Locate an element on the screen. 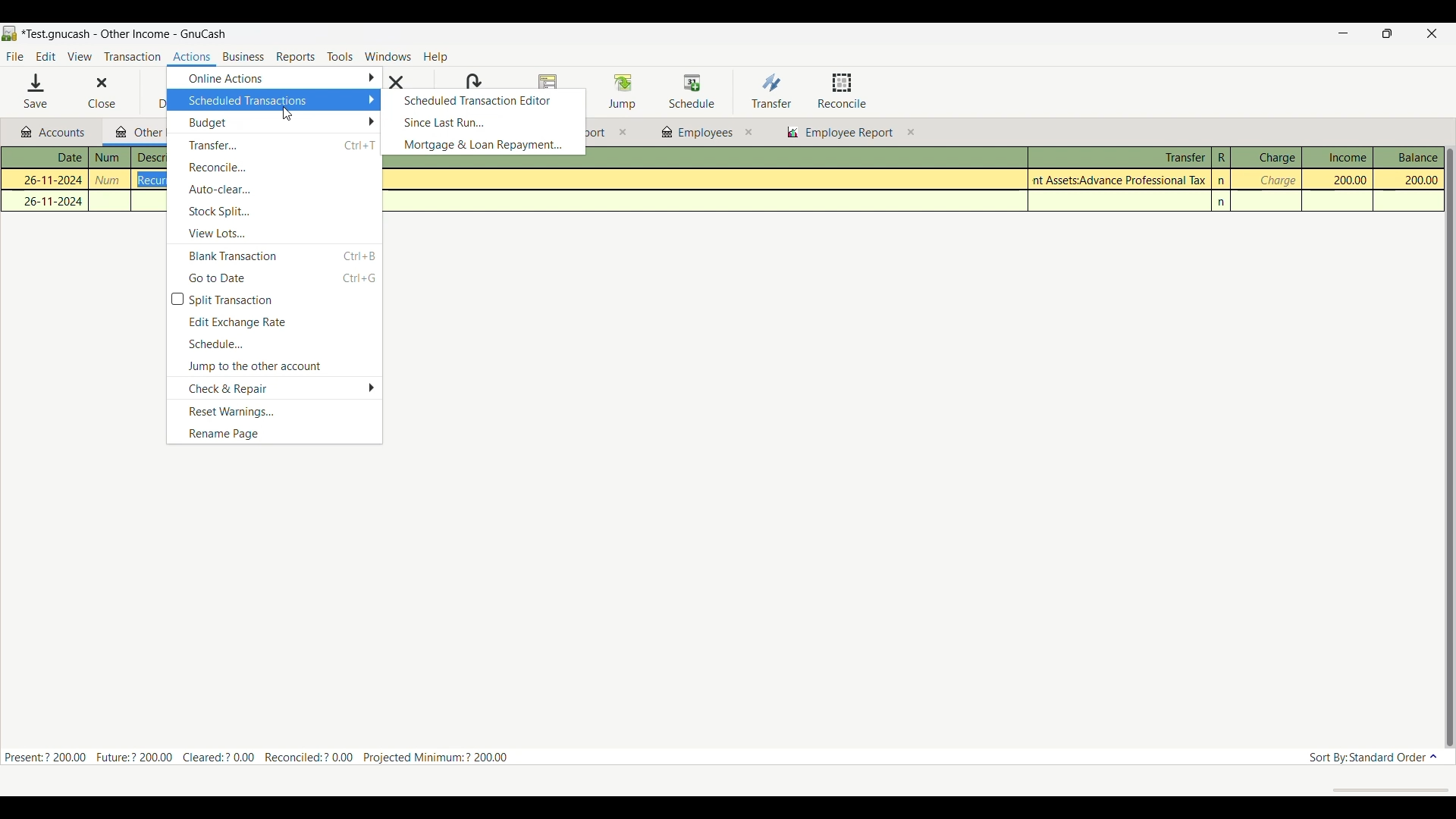 The image size is (1456, 819). Transfer is located at coordinates (275, 146).